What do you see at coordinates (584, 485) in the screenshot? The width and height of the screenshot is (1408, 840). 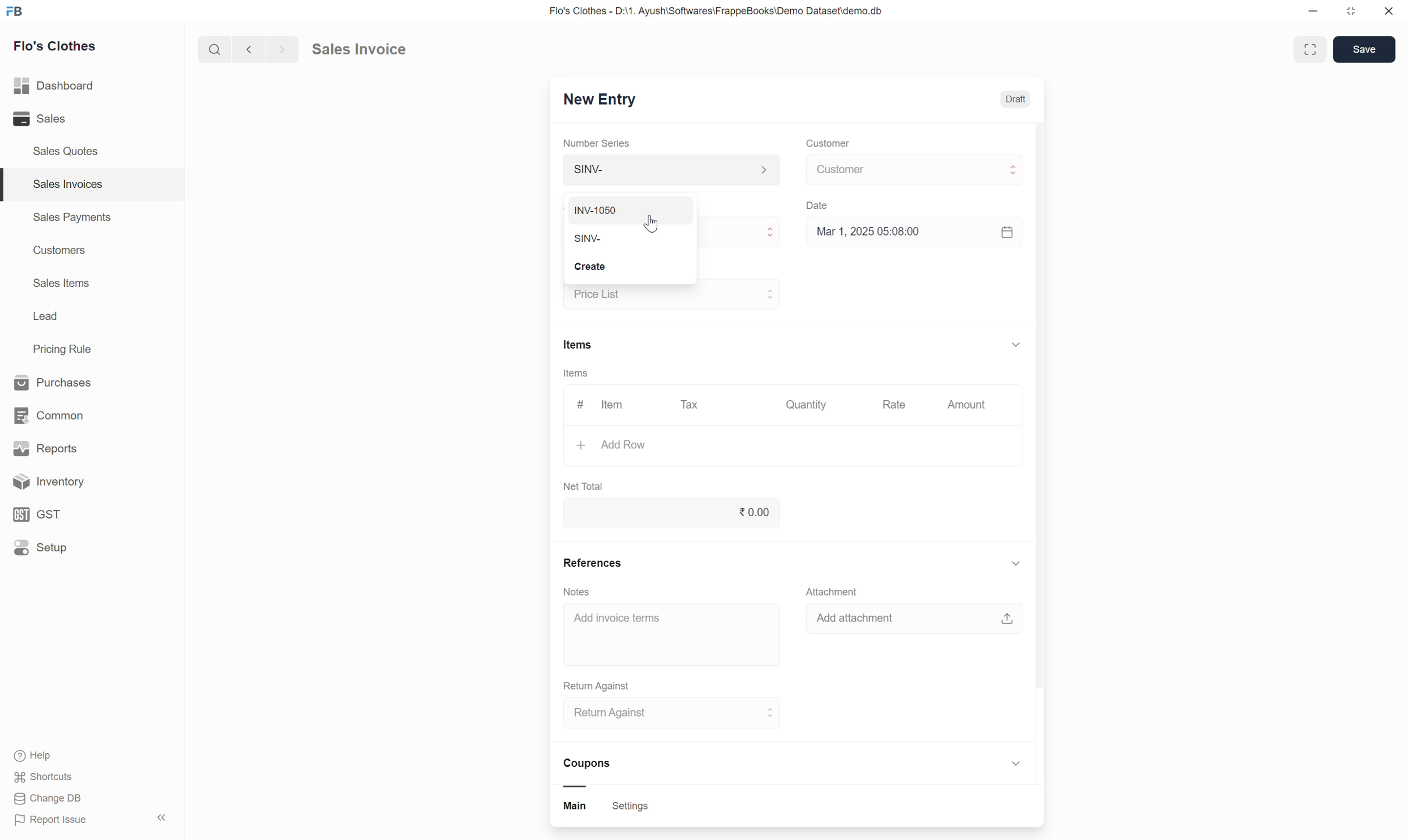 I see `Net Total` at bounding box center [584, 485].